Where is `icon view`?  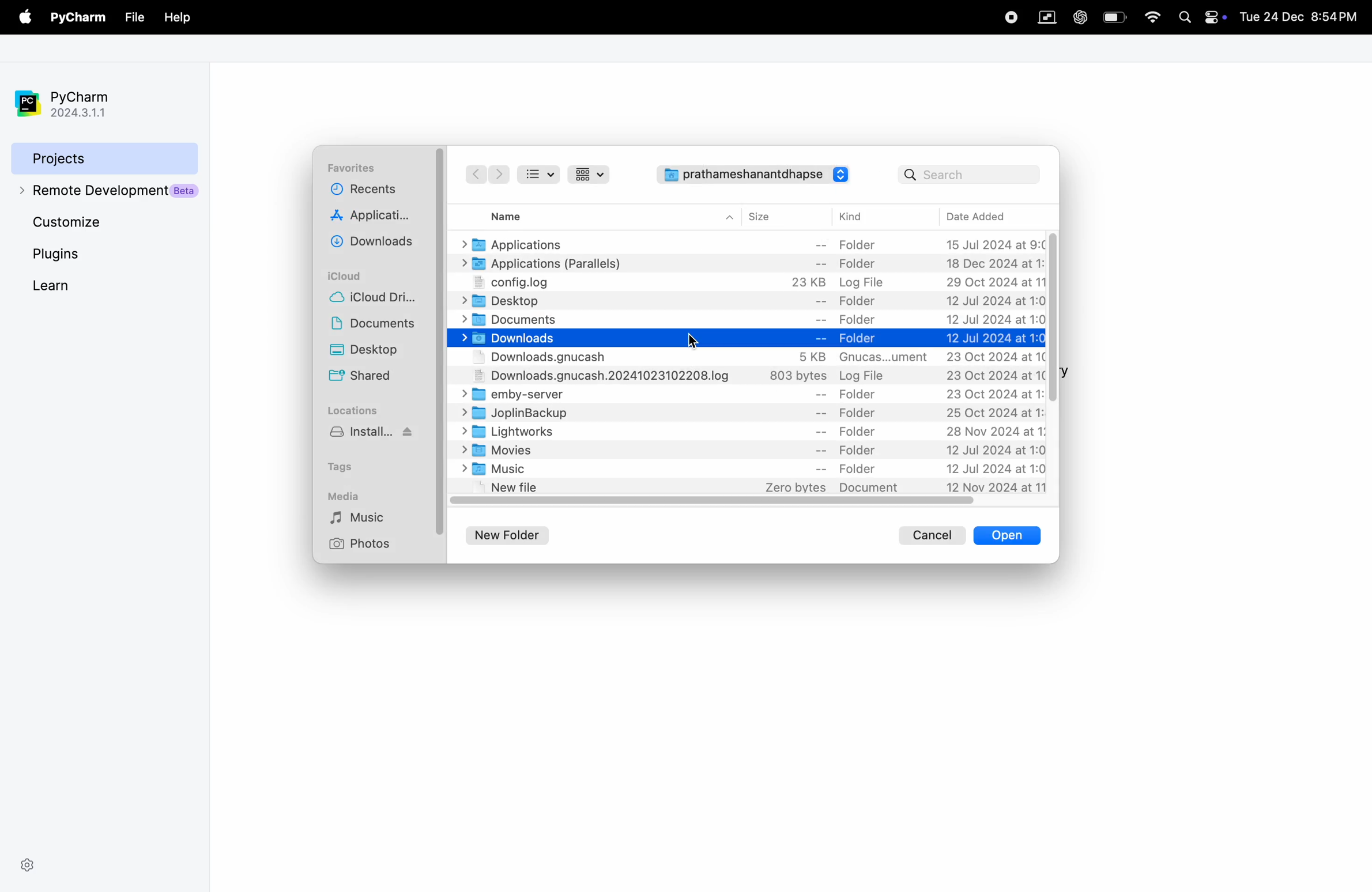 icon view is located at coordinates (592, 174).